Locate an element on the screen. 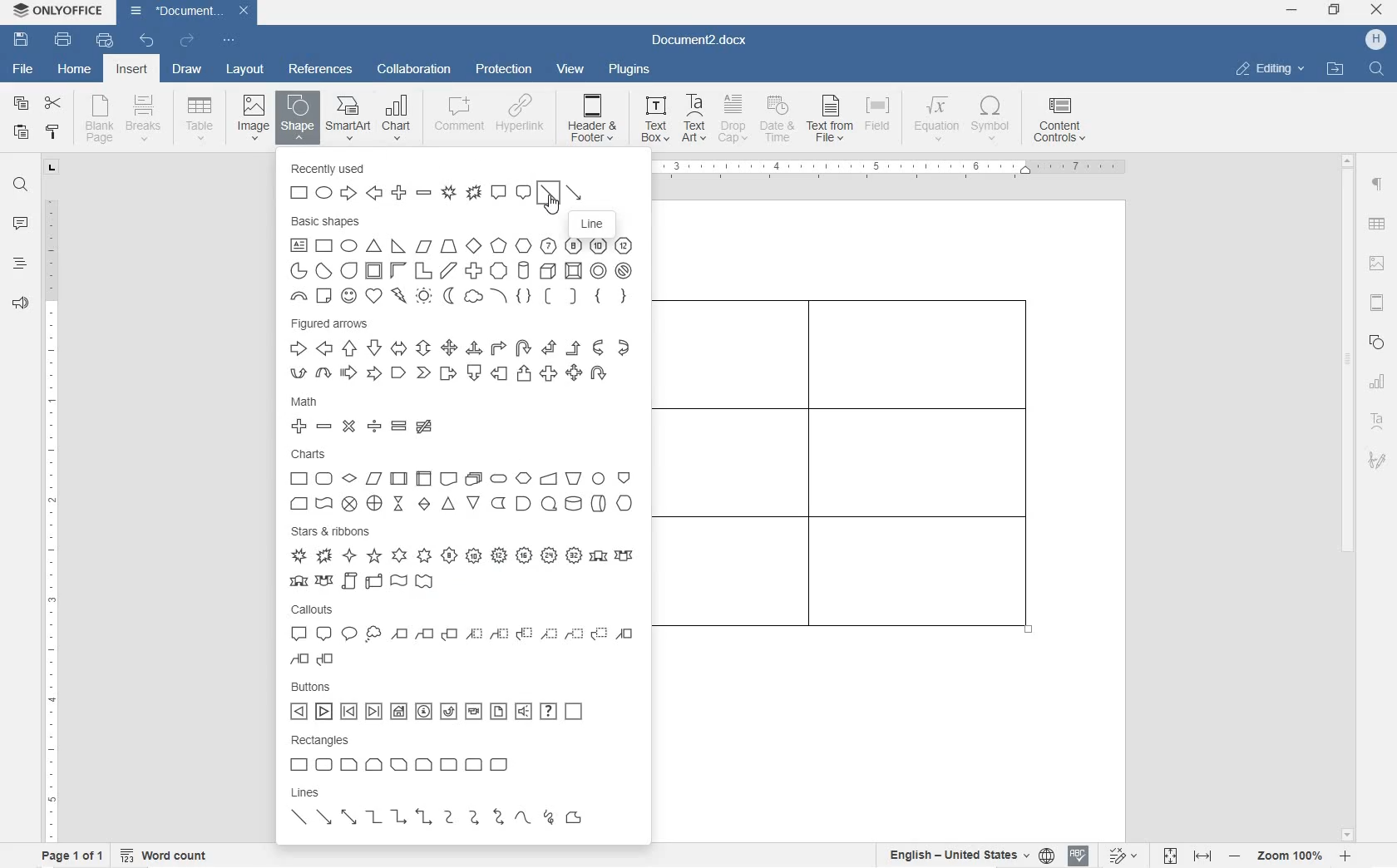 The width and height of the screenshot is (1397, 868). EDITING is located at coordinates (1271, 68).